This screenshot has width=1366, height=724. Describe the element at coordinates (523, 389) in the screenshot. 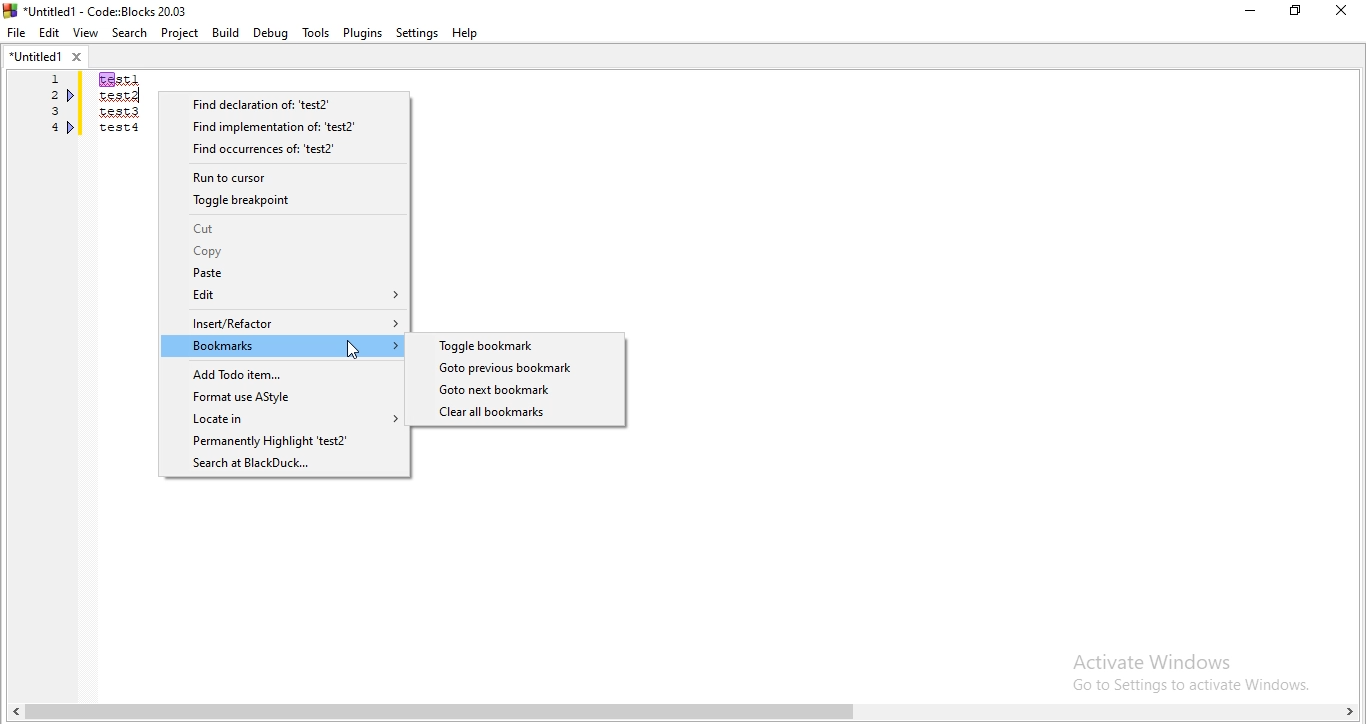

I see `Goto next bookmark` at that location.